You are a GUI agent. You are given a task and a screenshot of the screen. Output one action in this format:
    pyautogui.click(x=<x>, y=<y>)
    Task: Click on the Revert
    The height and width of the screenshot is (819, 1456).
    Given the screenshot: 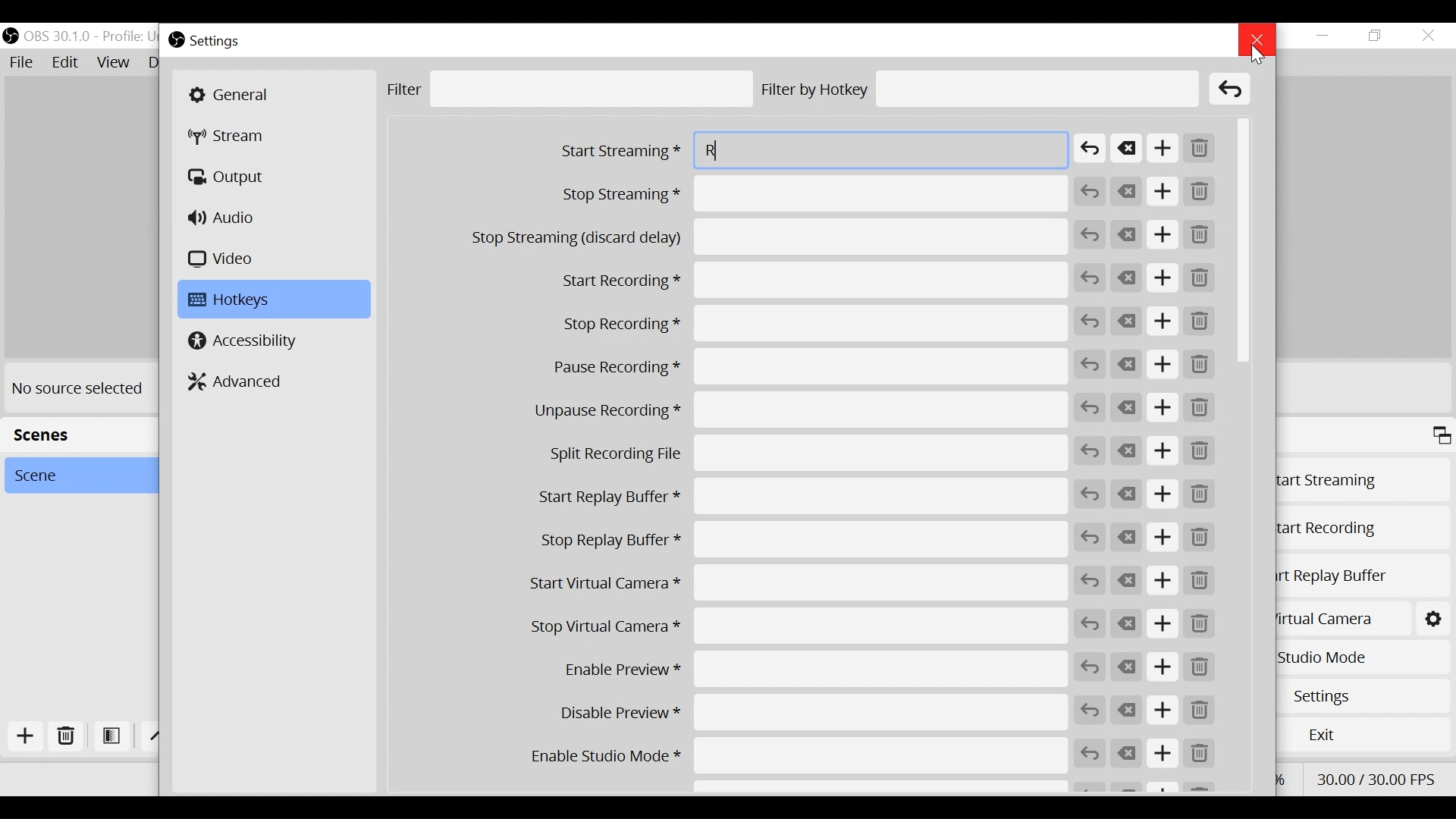 What is the action you would take?
    pyautogui.click(x=1091, y=581)
    